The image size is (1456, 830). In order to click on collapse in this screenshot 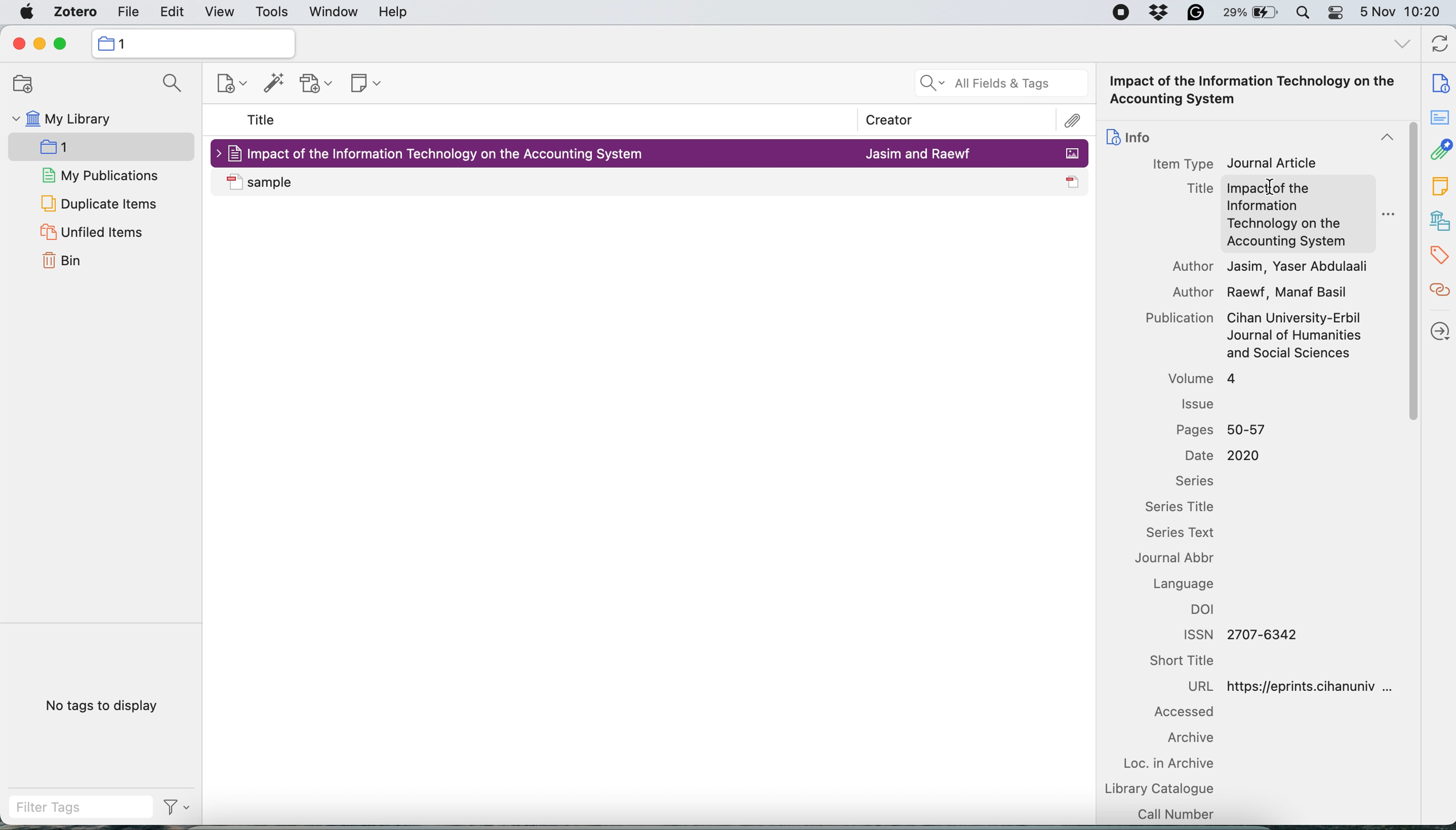, I will do `click(1386, 137)`.